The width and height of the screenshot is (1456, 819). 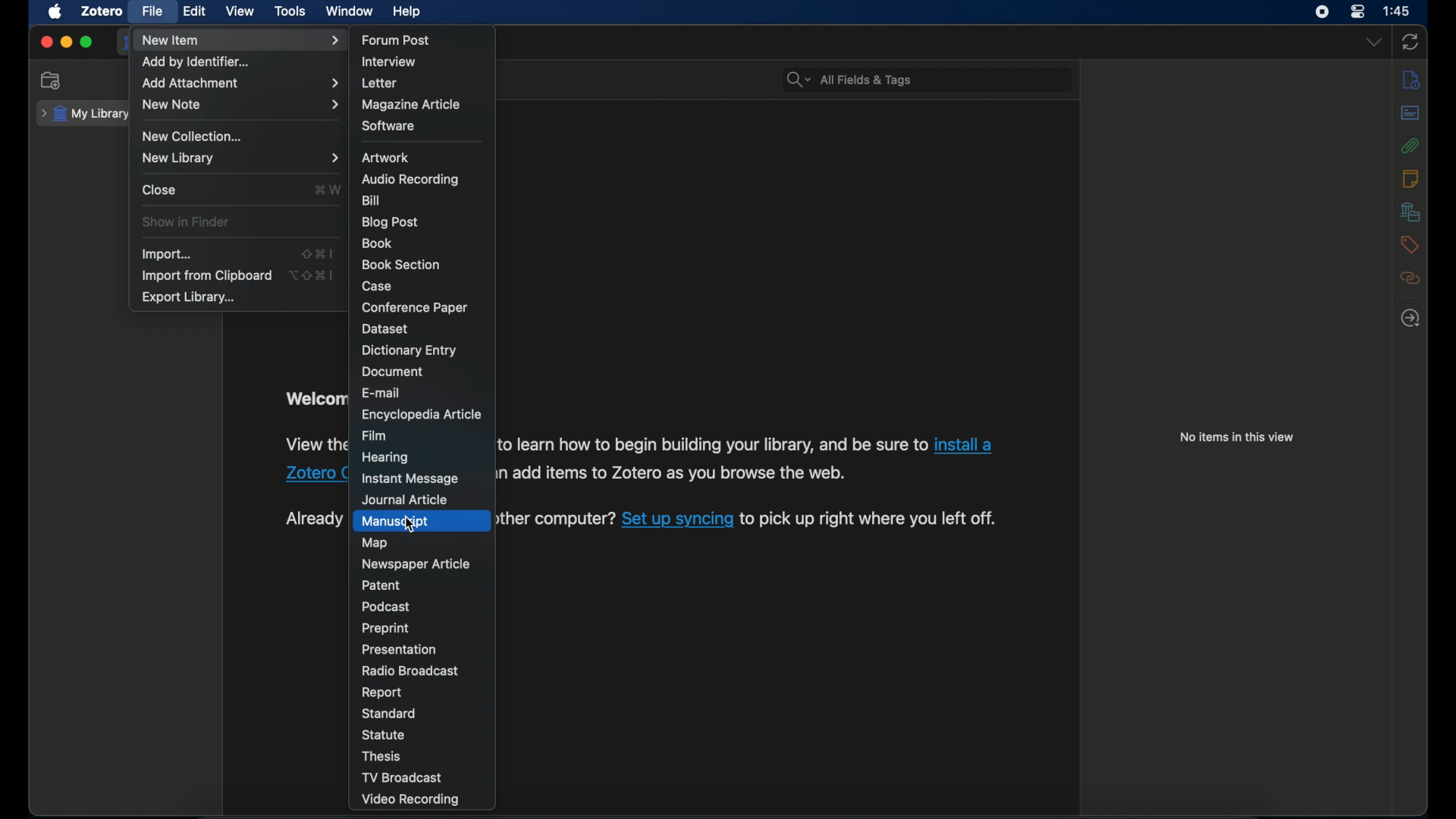 What do you see at coordinates (403, 500) in the screenshot?
I see `journal article` at bounding box center [403, 500].